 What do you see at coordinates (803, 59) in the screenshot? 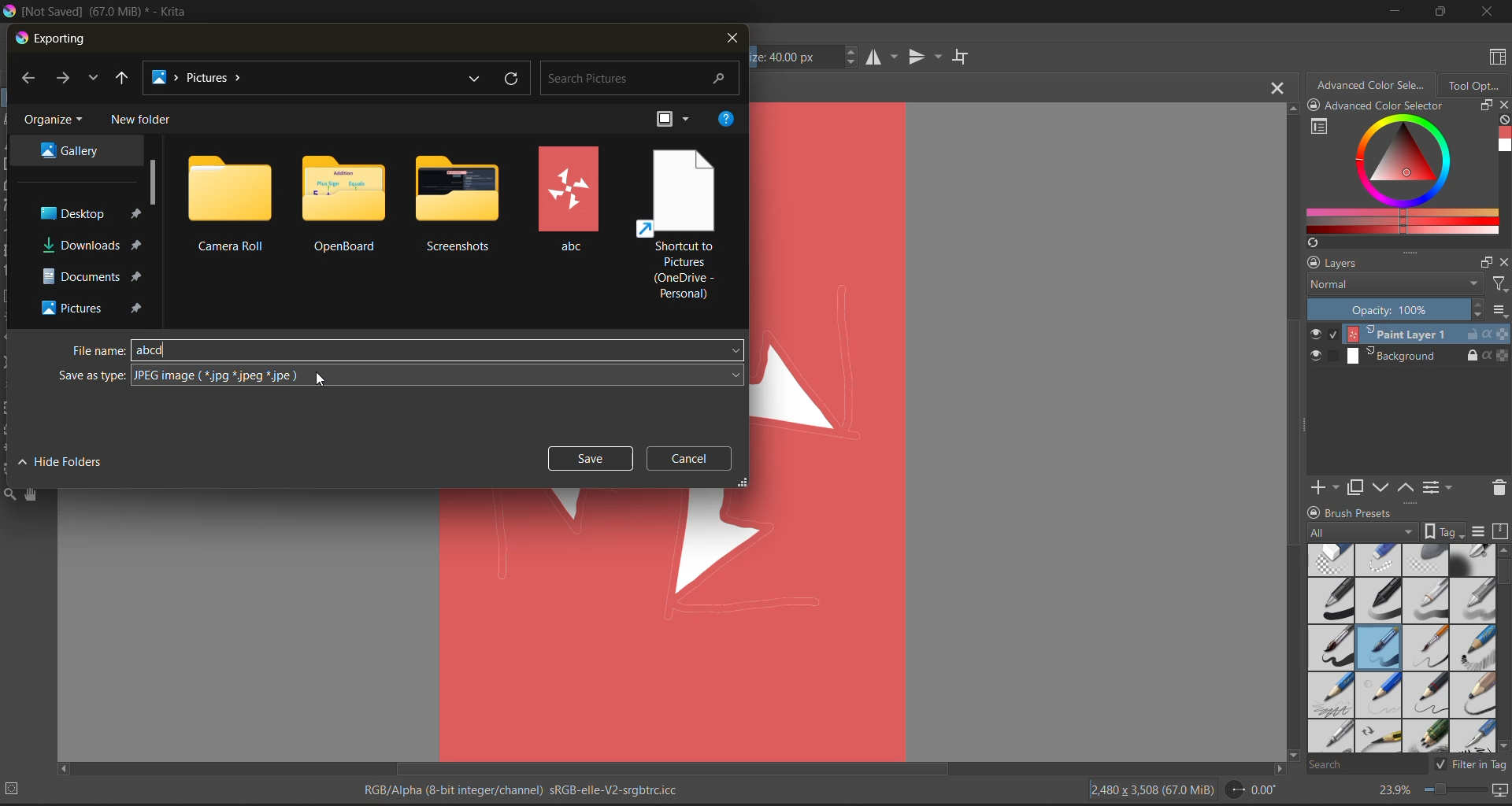
I see `size` at bounding box center [803, 59].